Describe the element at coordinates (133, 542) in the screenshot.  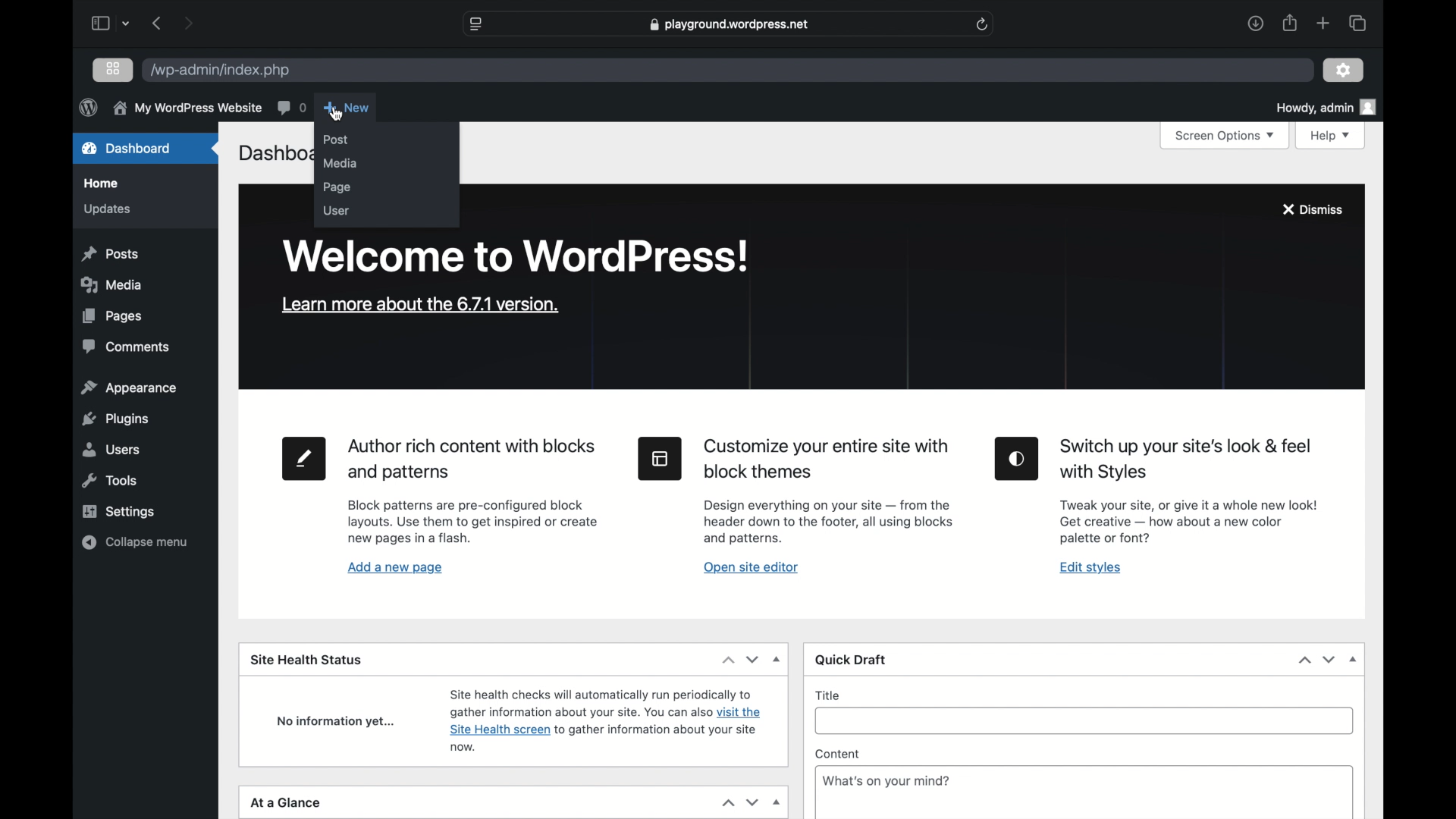
I see `collapse menu` at that location.